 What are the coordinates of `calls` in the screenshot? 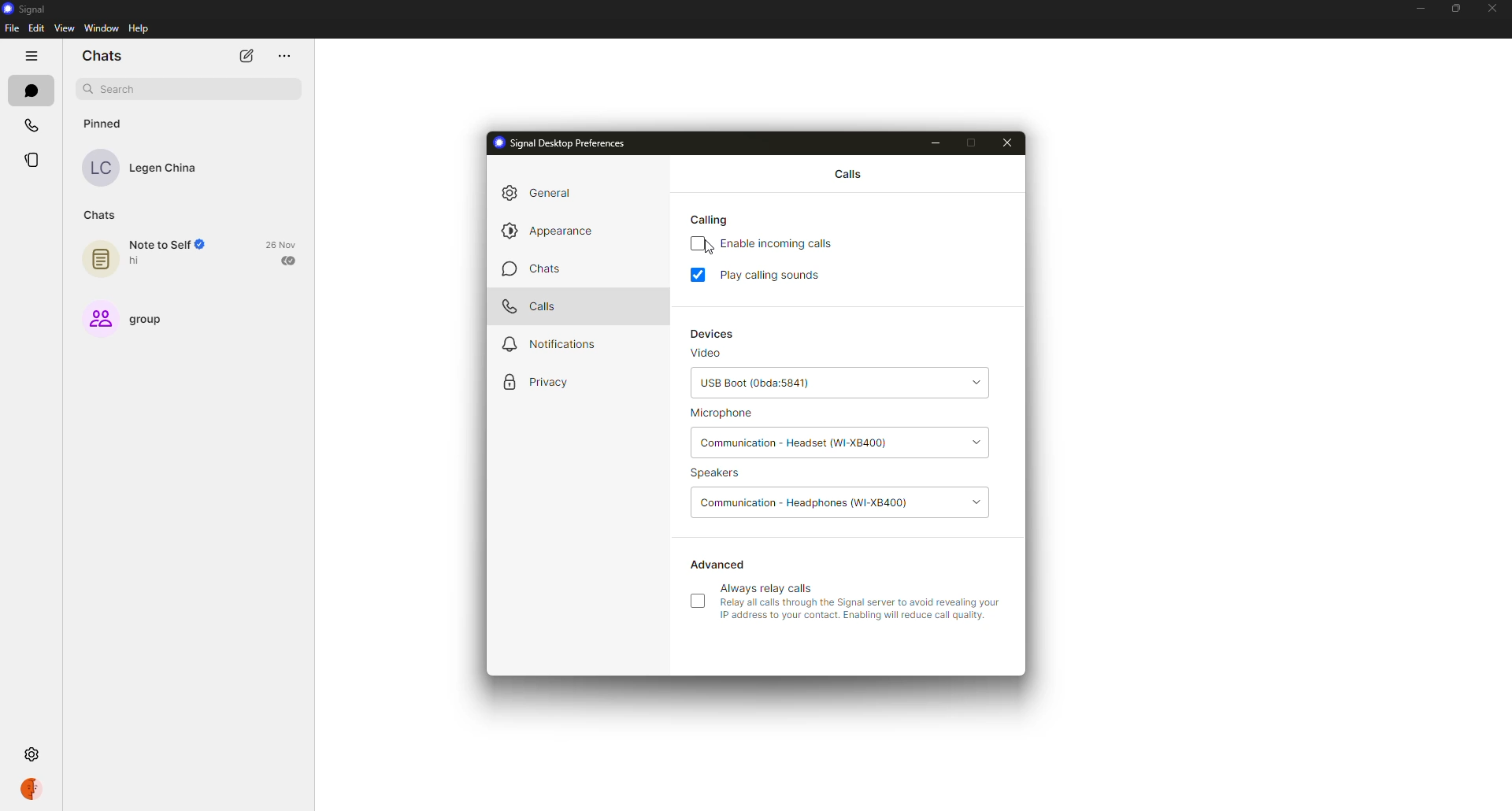 It's located at (29, 125).